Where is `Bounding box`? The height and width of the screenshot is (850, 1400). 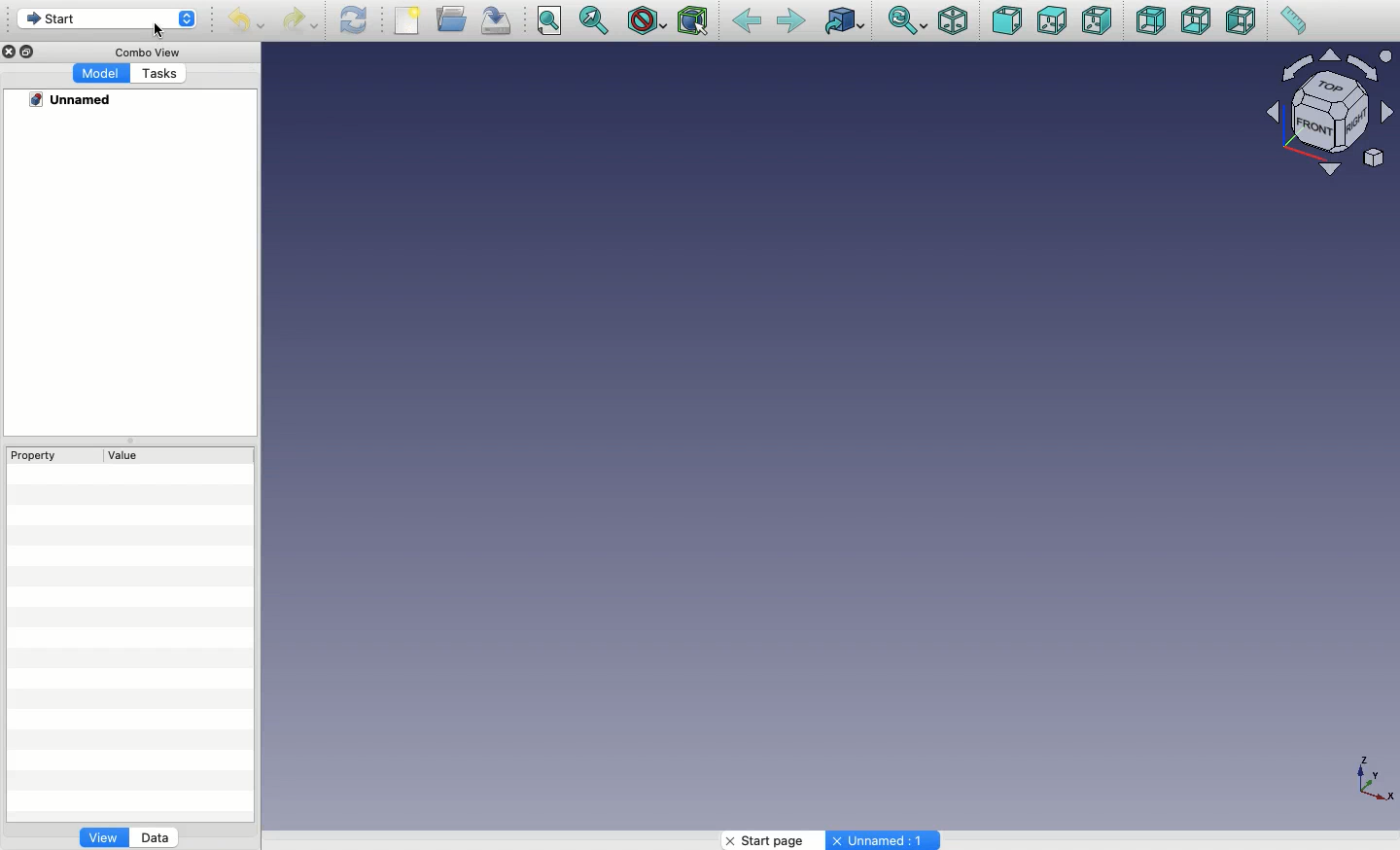 Bounding box is located at coordinates (695, 22).